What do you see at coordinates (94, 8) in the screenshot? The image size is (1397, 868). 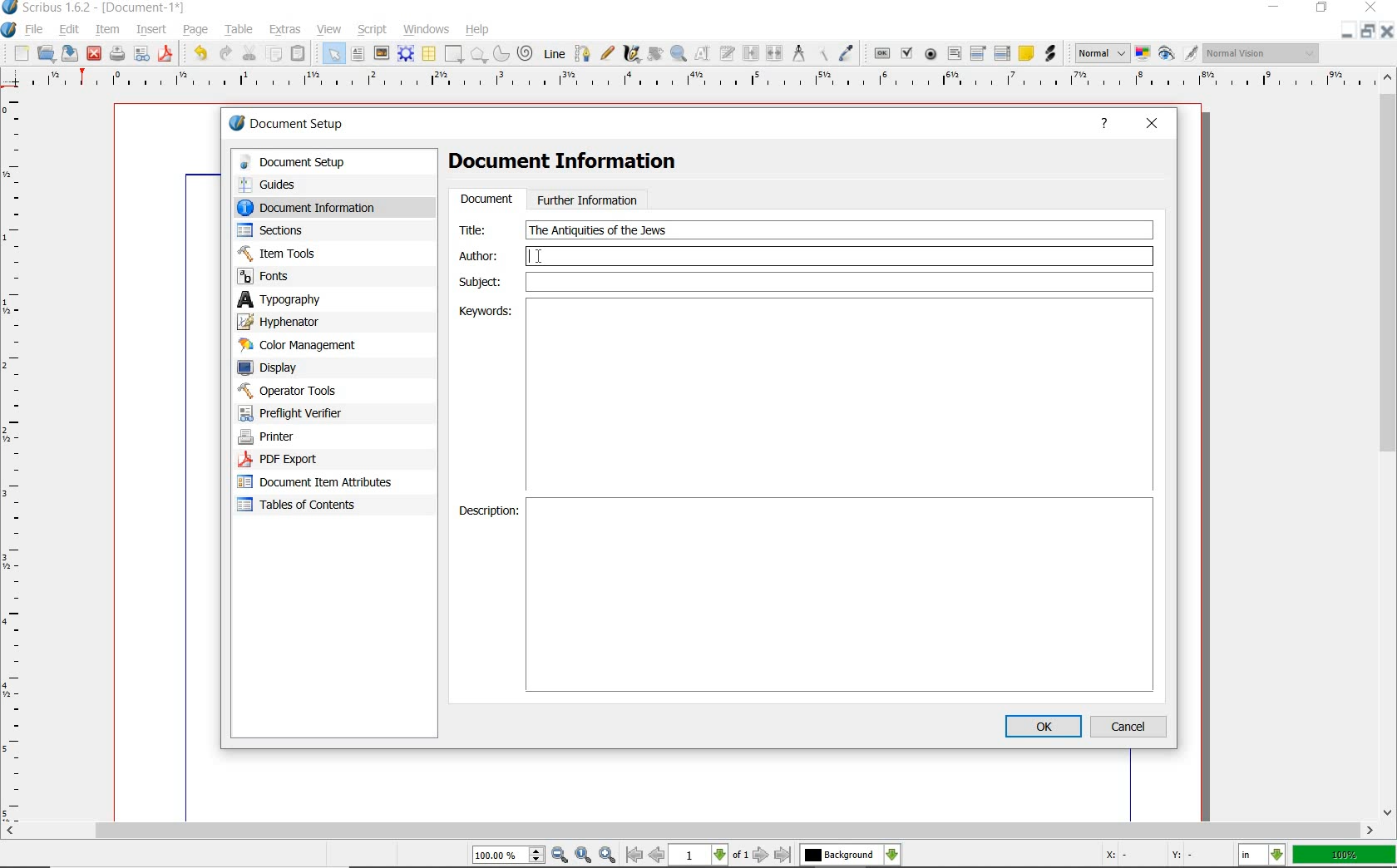 I see `system name` at bounding box center [94, 8].